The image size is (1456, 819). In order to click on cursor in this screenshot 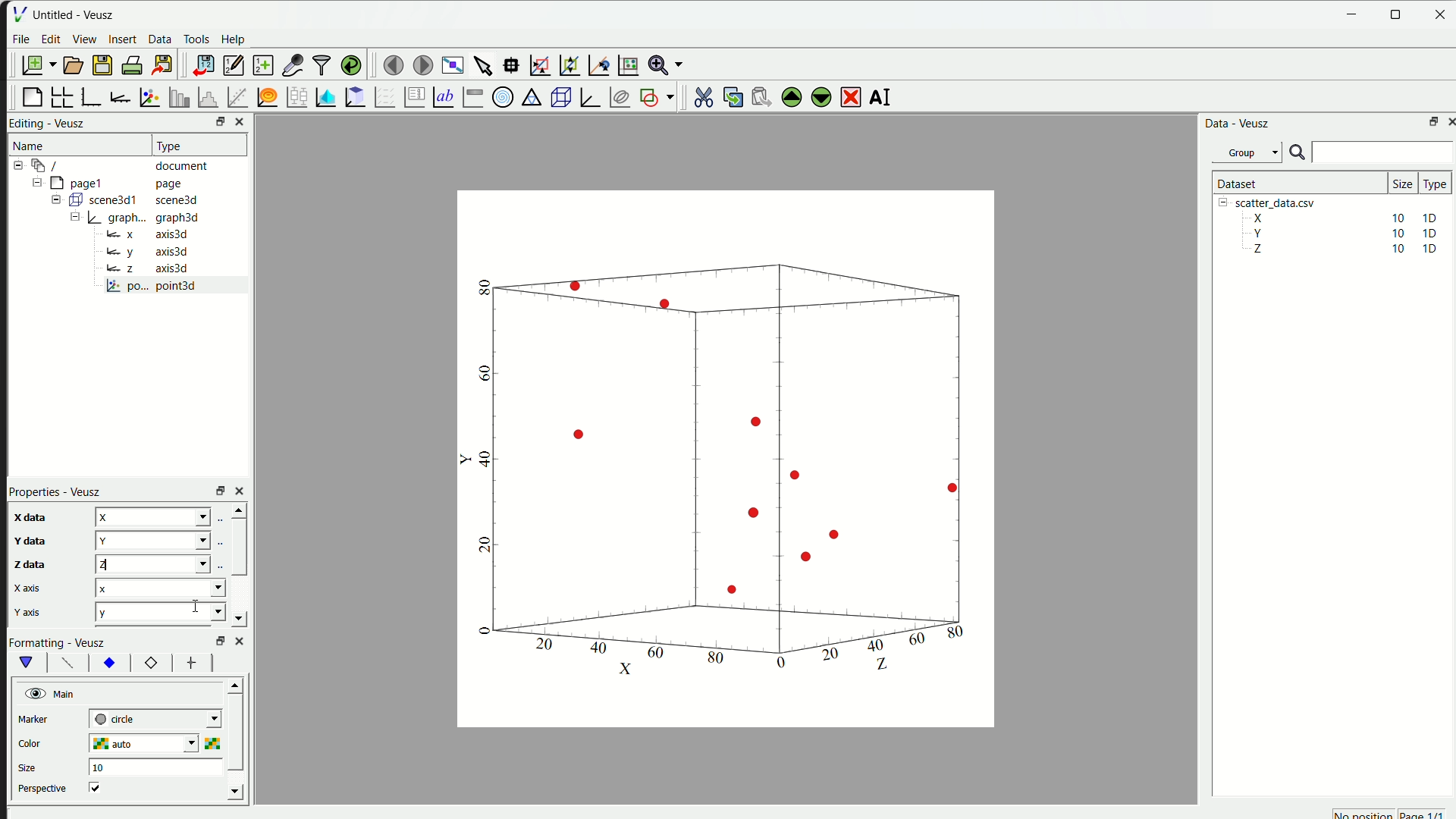, I will do `click(199, 605)`.